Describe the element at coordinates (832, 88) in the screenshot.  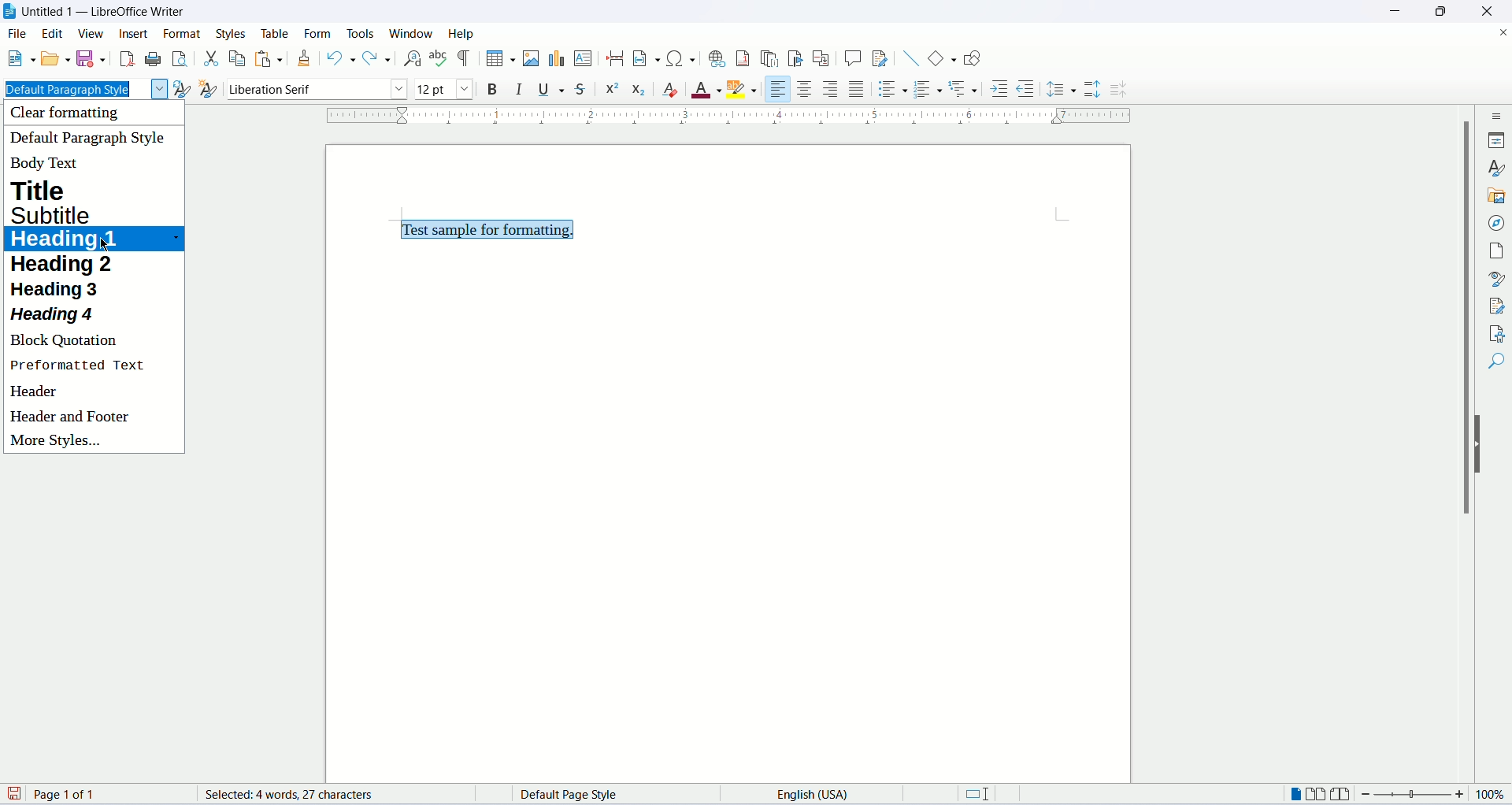
I see `align right` at that location.